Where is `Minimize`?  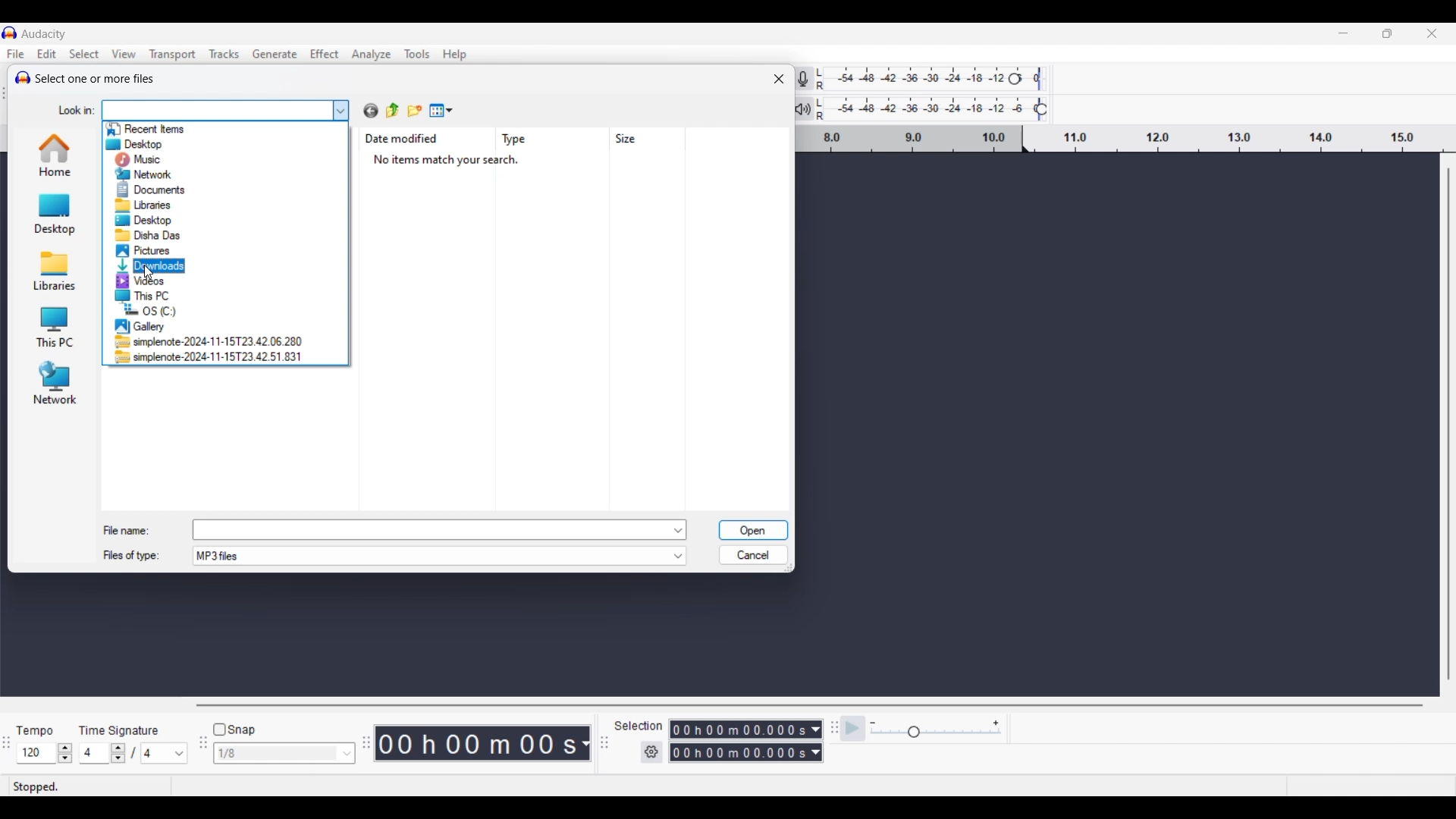 Minimize is located at coordinates (1343, 33).